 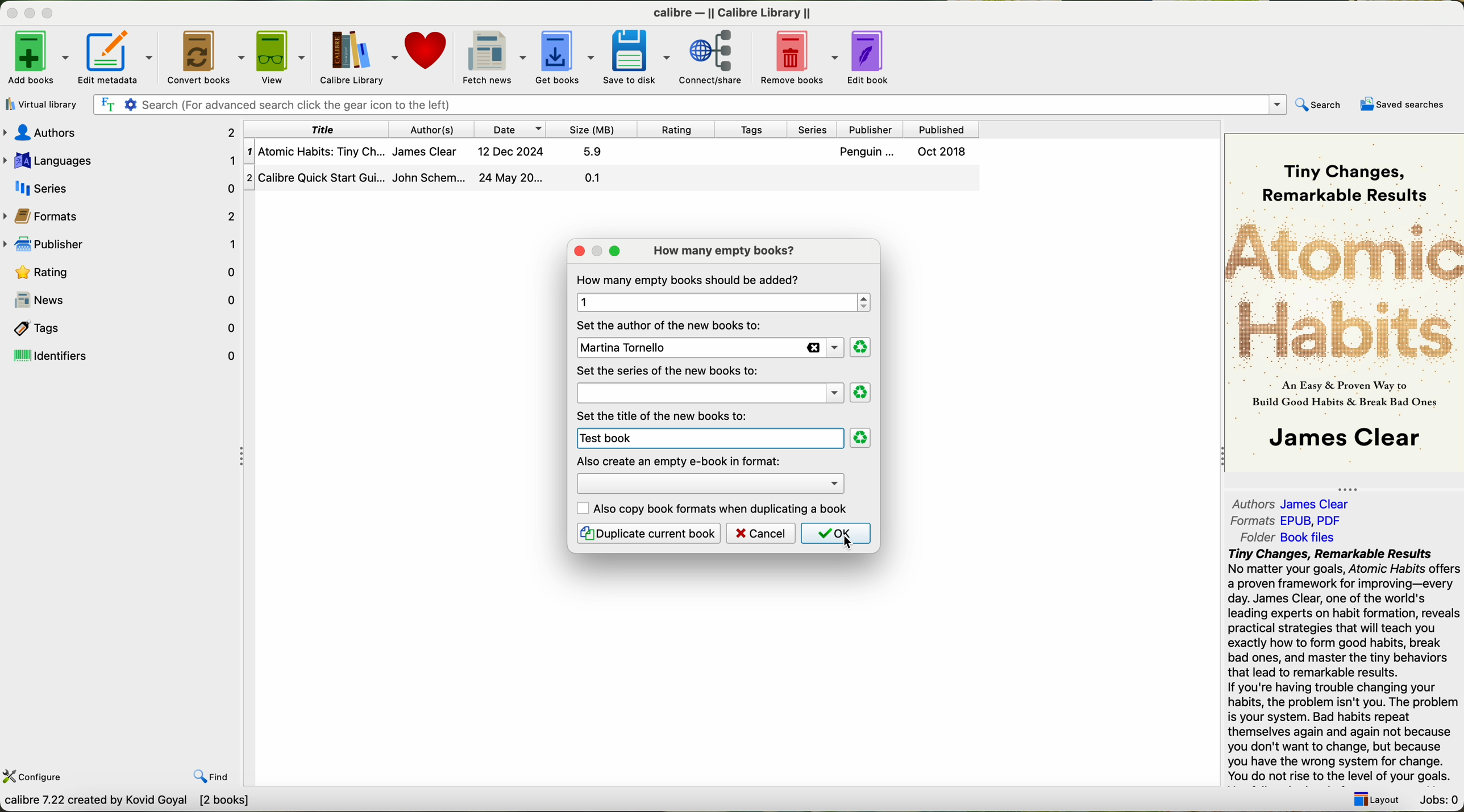 I want to click on rating, so click(x=121, y=272).